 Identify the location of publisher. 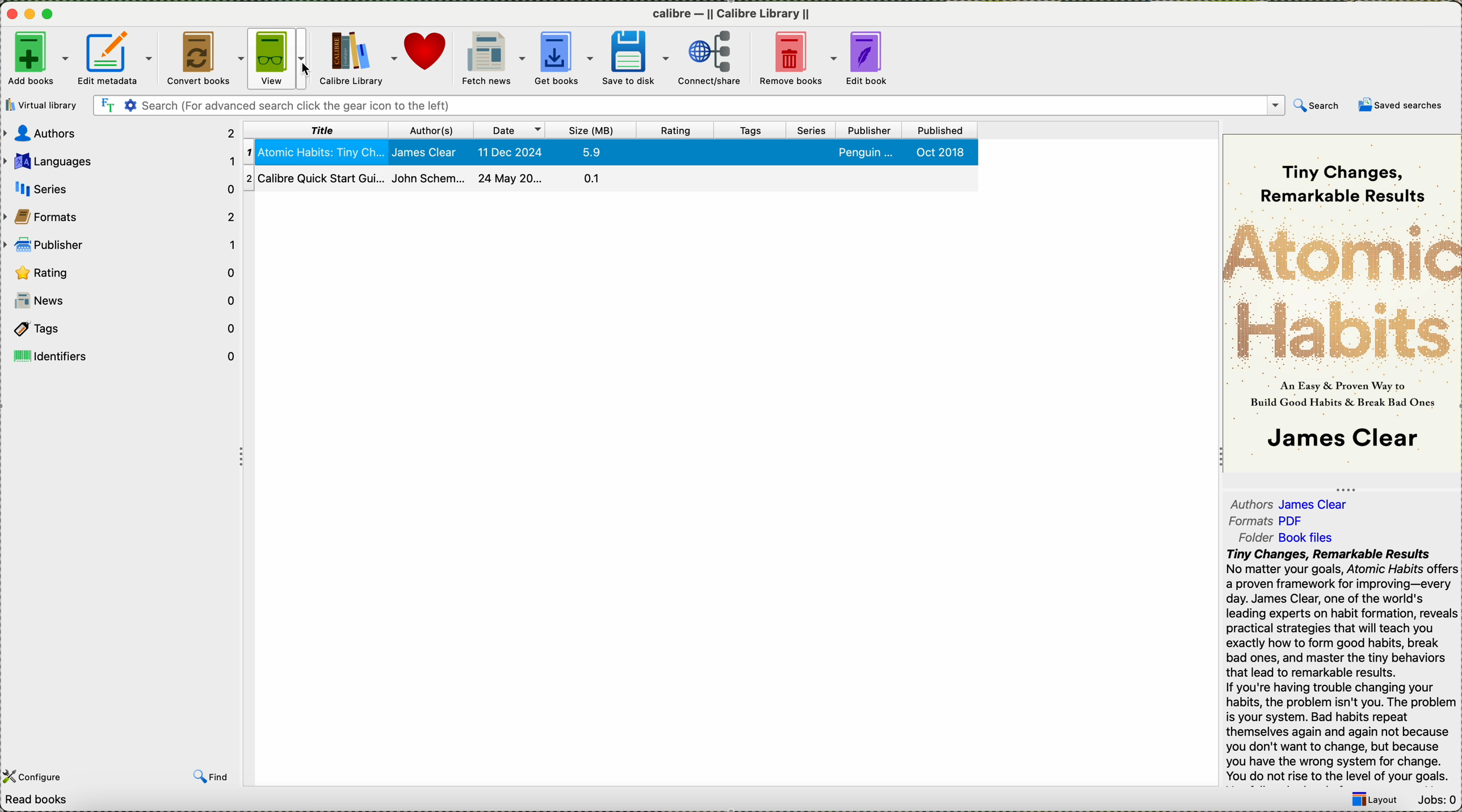
(121, 242).